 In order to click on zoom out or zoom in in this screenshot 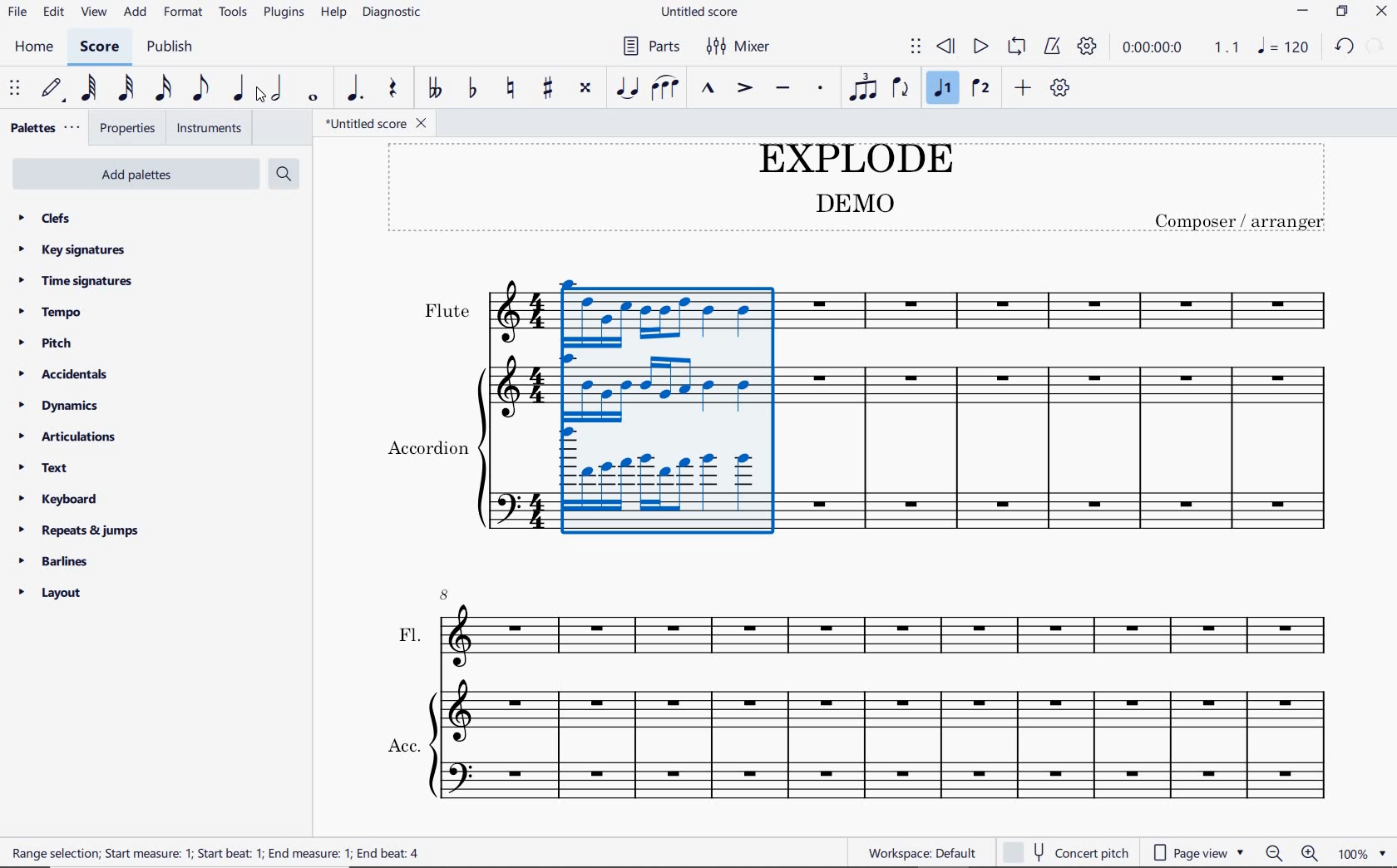, I will do `click(1292, 851)`.